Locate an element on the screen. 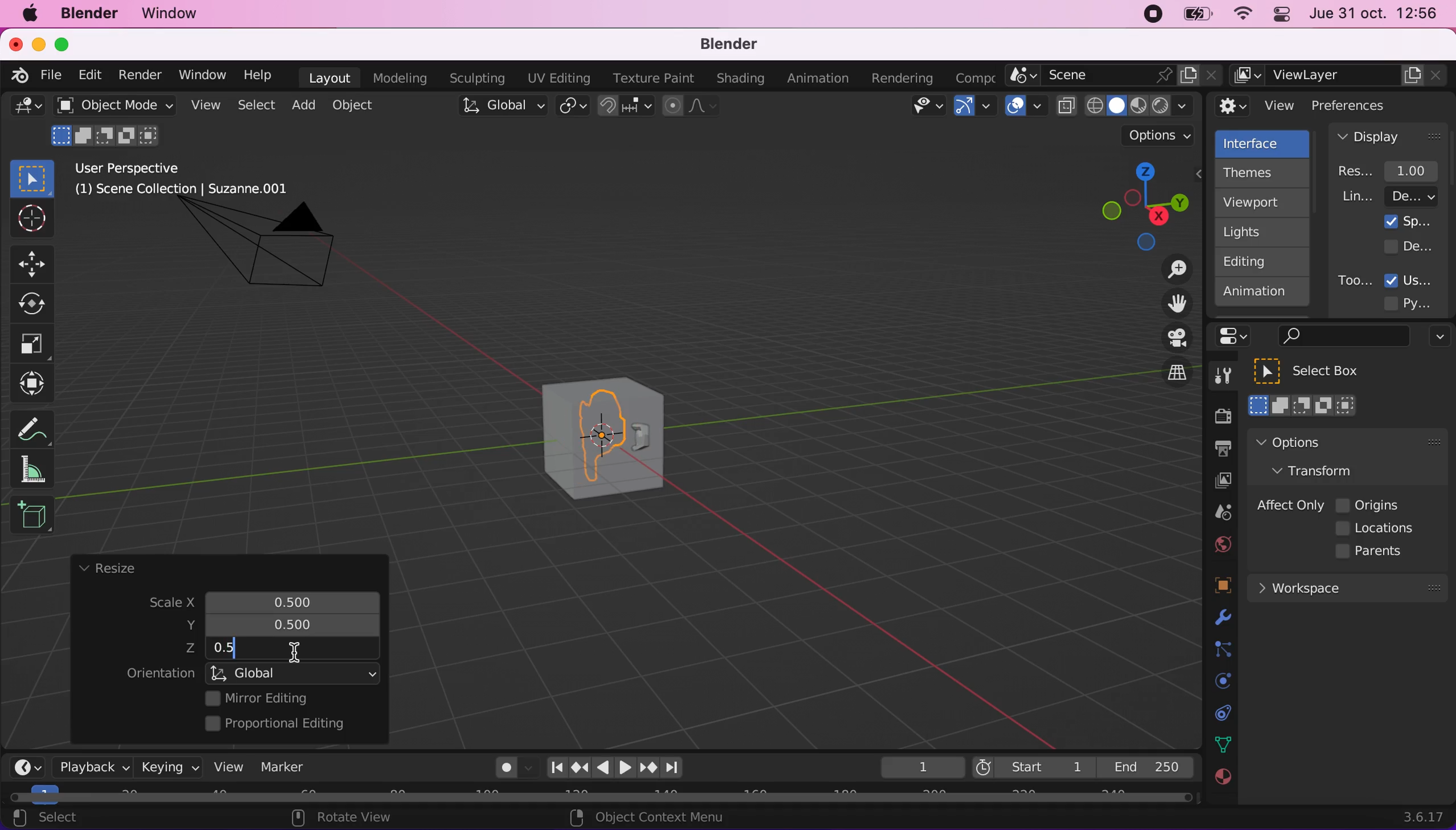 The width and height of the screenshot is (1456, 830).  is located at coordinates (30, 219).